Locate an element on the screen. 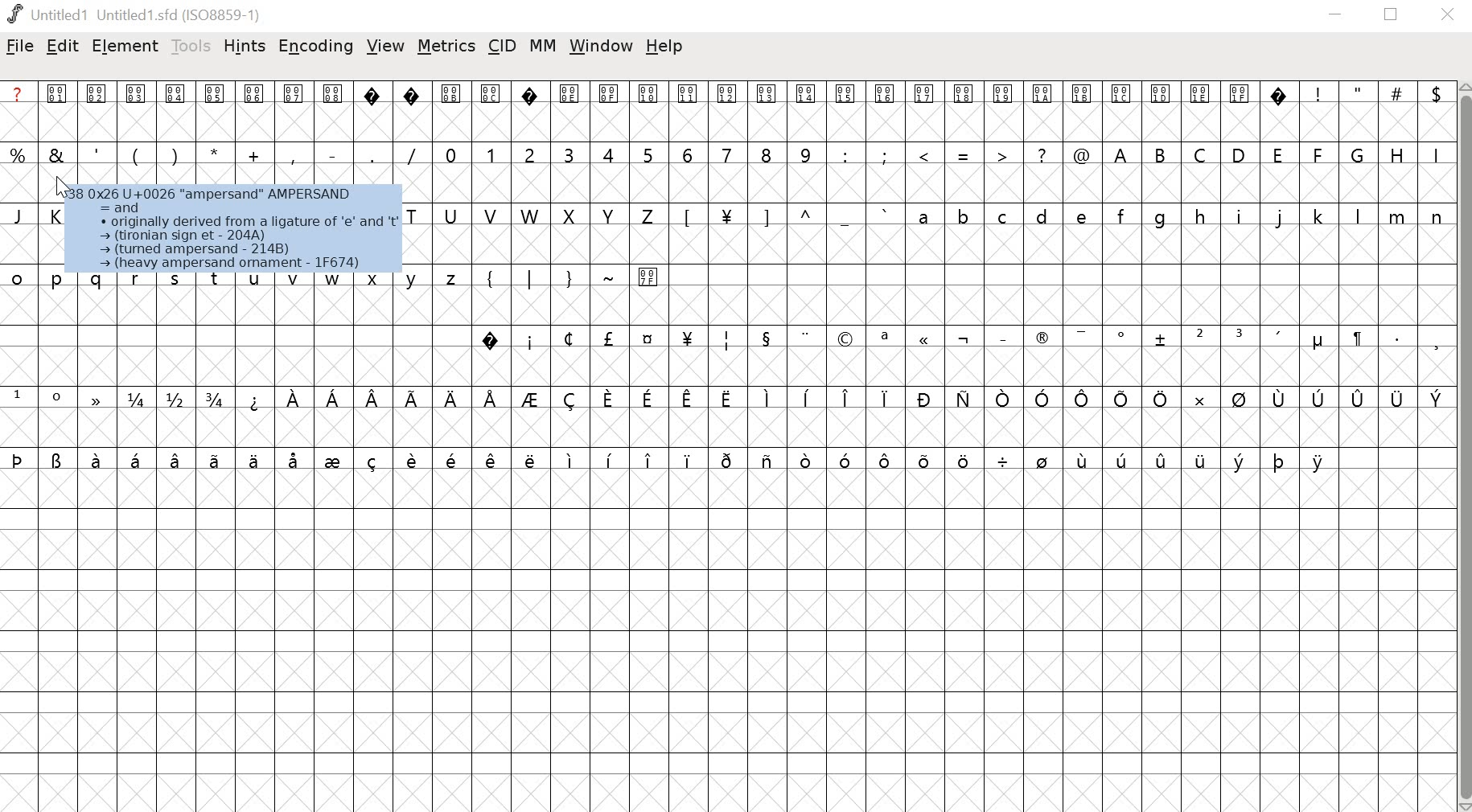 The width and height of the screenshot is (1472, 812). 9 is located at coordinates (805, 154).